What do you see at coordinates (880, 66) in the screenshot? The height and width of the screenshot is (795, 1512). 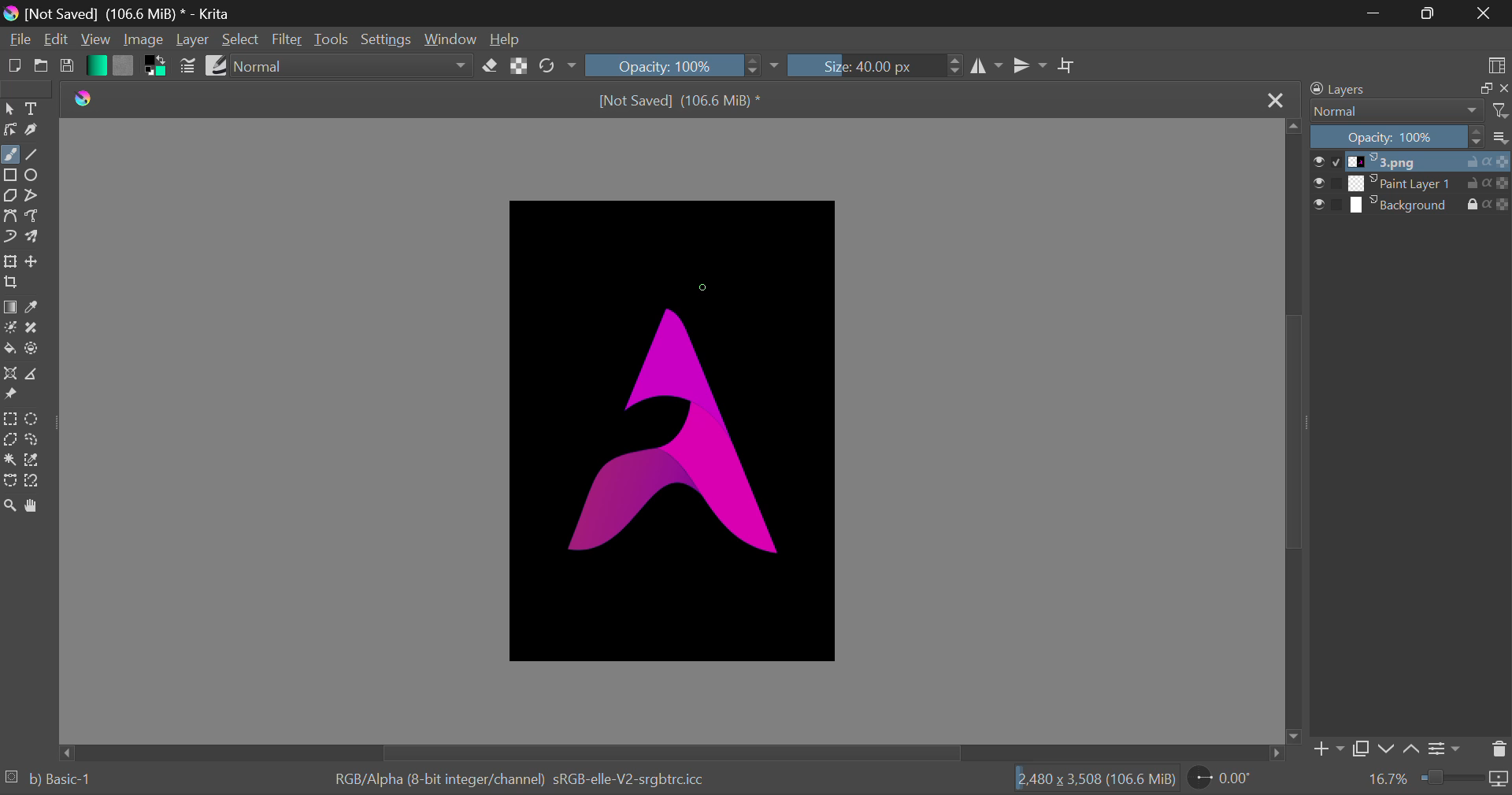 I see `Size: 40.00 px` at bounding box center [880, 66].